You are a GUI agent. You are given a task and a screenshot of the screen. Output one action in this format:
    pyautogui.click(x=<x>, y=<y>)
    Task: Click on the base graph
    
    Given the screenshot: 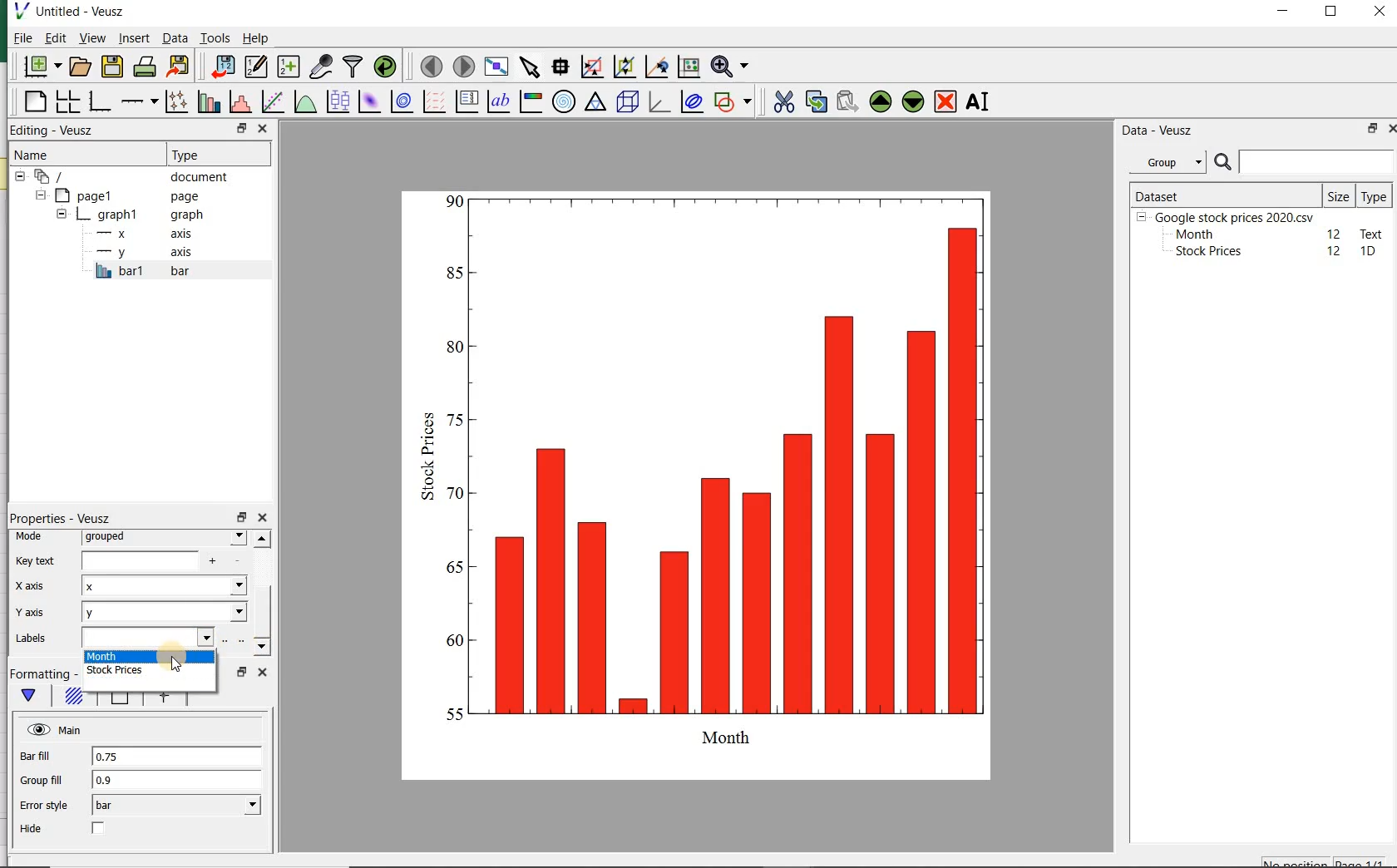 What is the action you would take?
    pyautogui.click(x=99, y=102)
    